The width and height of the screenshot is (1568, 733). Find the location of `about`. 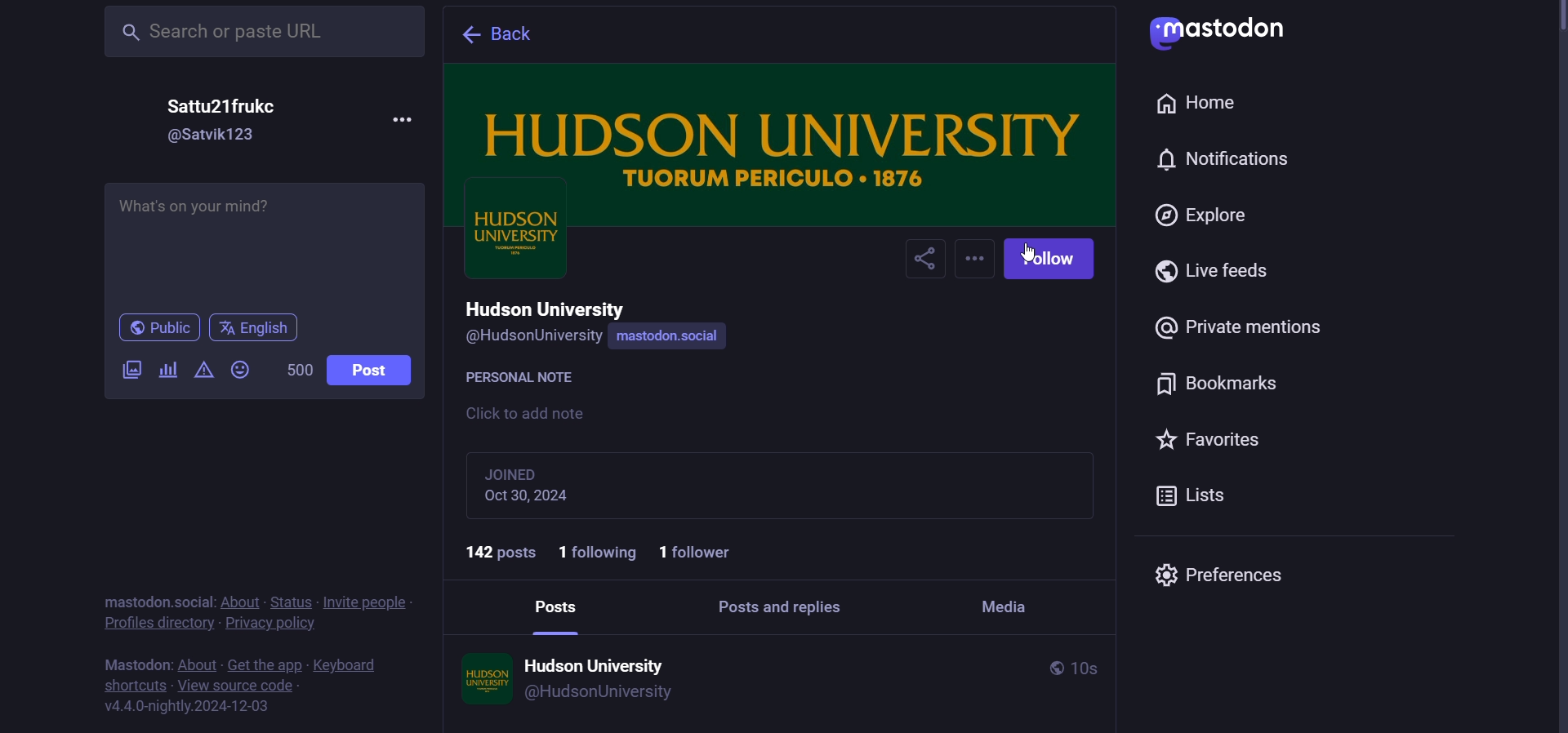

about is located at coordinates (198, 665).